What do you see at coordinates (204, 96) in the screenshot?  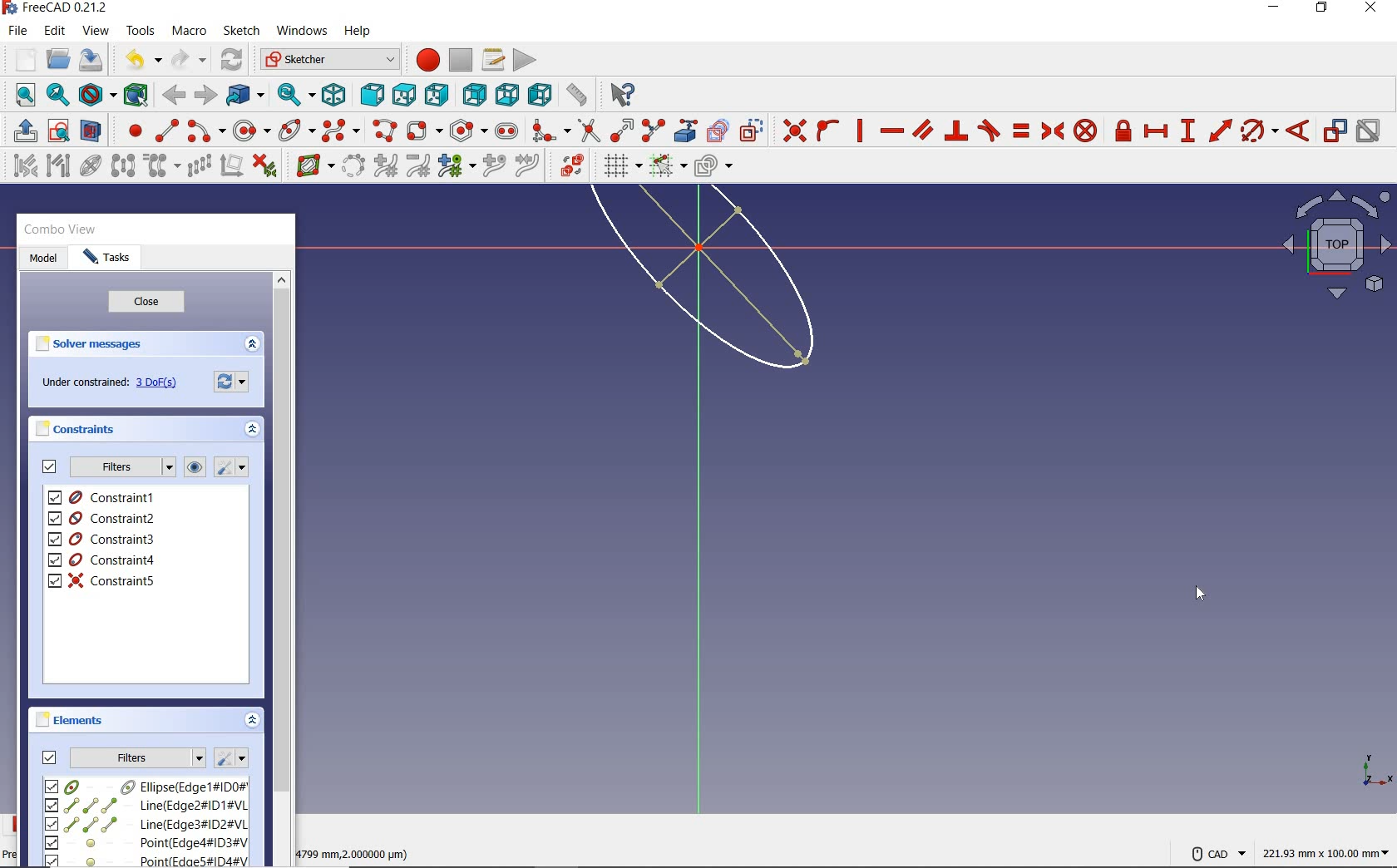 I see `forward` at bounding box center [204, 96].